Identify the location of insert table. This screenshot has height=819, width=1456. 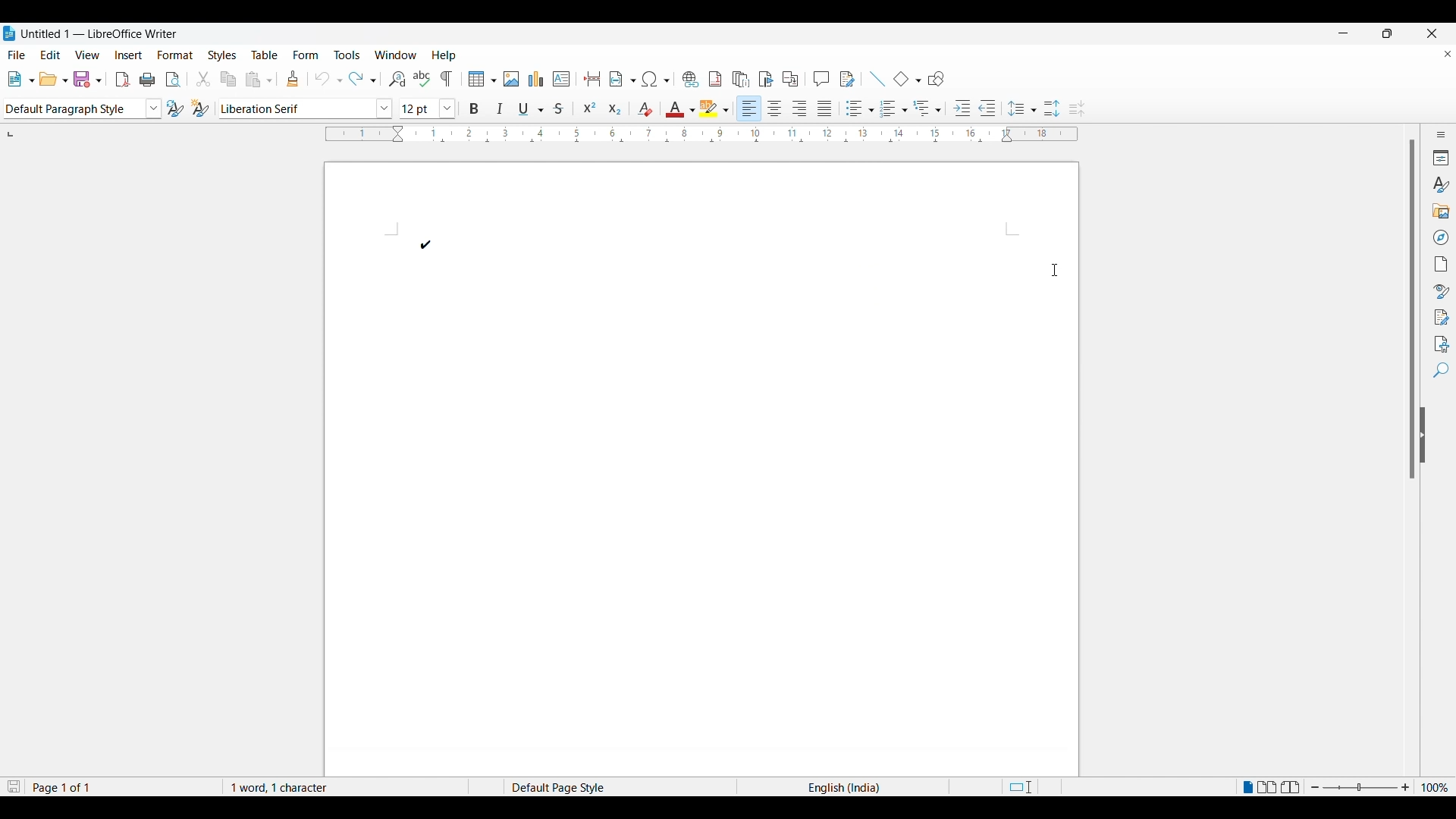
(481, 80).